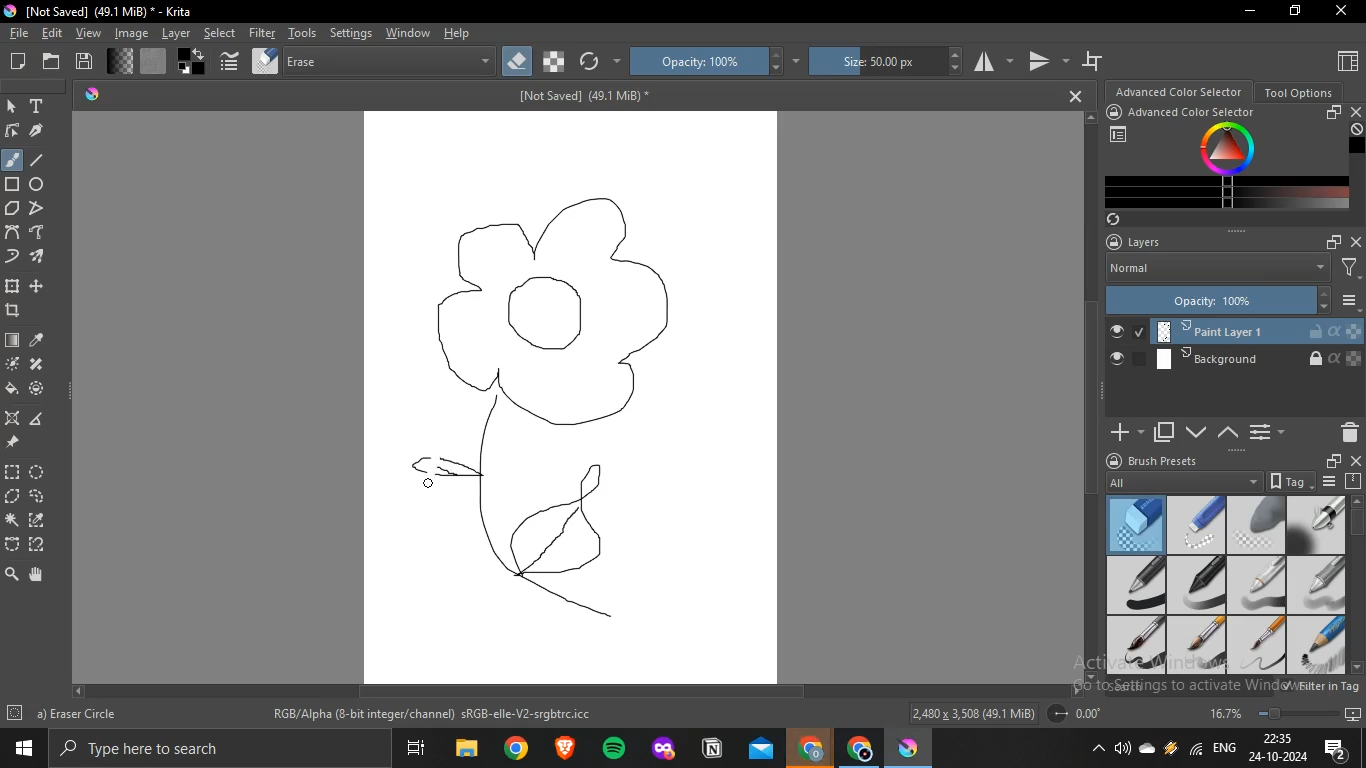  I want to click on basic 5 opacity, so click(1194, 646).